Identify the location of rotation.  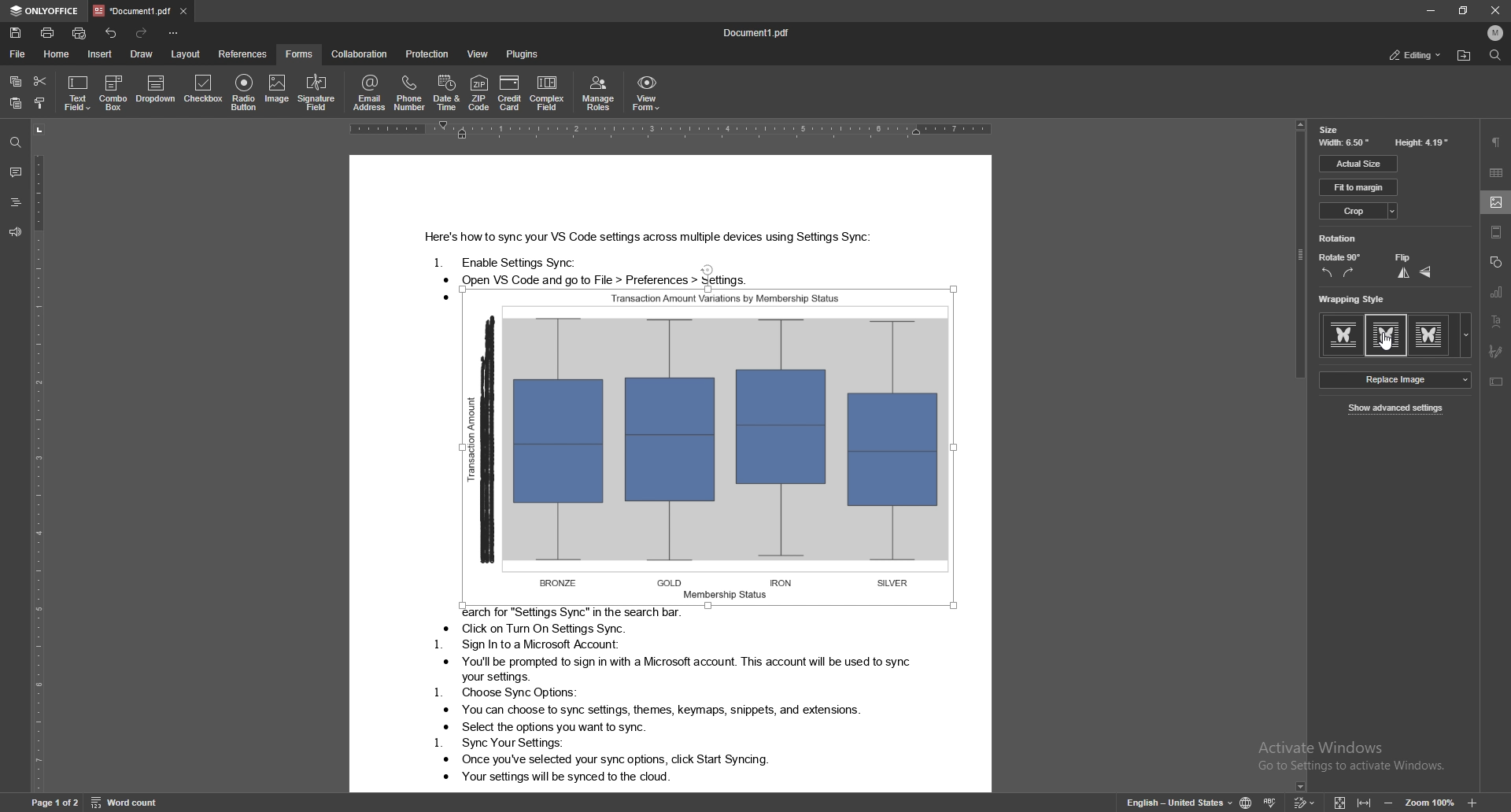
(1339, 239).